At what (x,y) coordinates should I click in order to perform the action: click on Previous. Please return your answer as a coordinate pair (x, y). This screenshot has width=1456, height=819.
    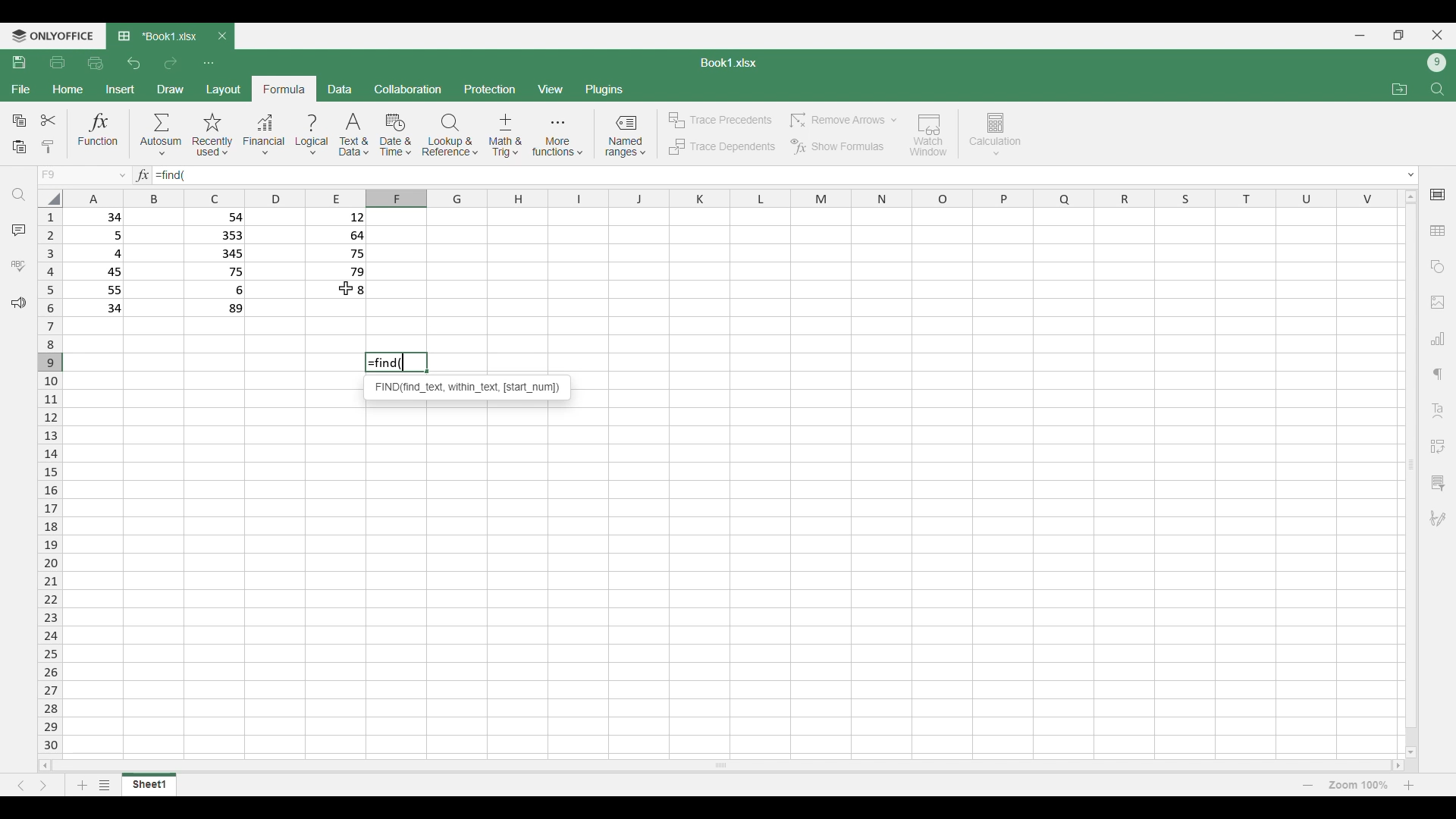
    Looking at the image, I should click on (20, 786).